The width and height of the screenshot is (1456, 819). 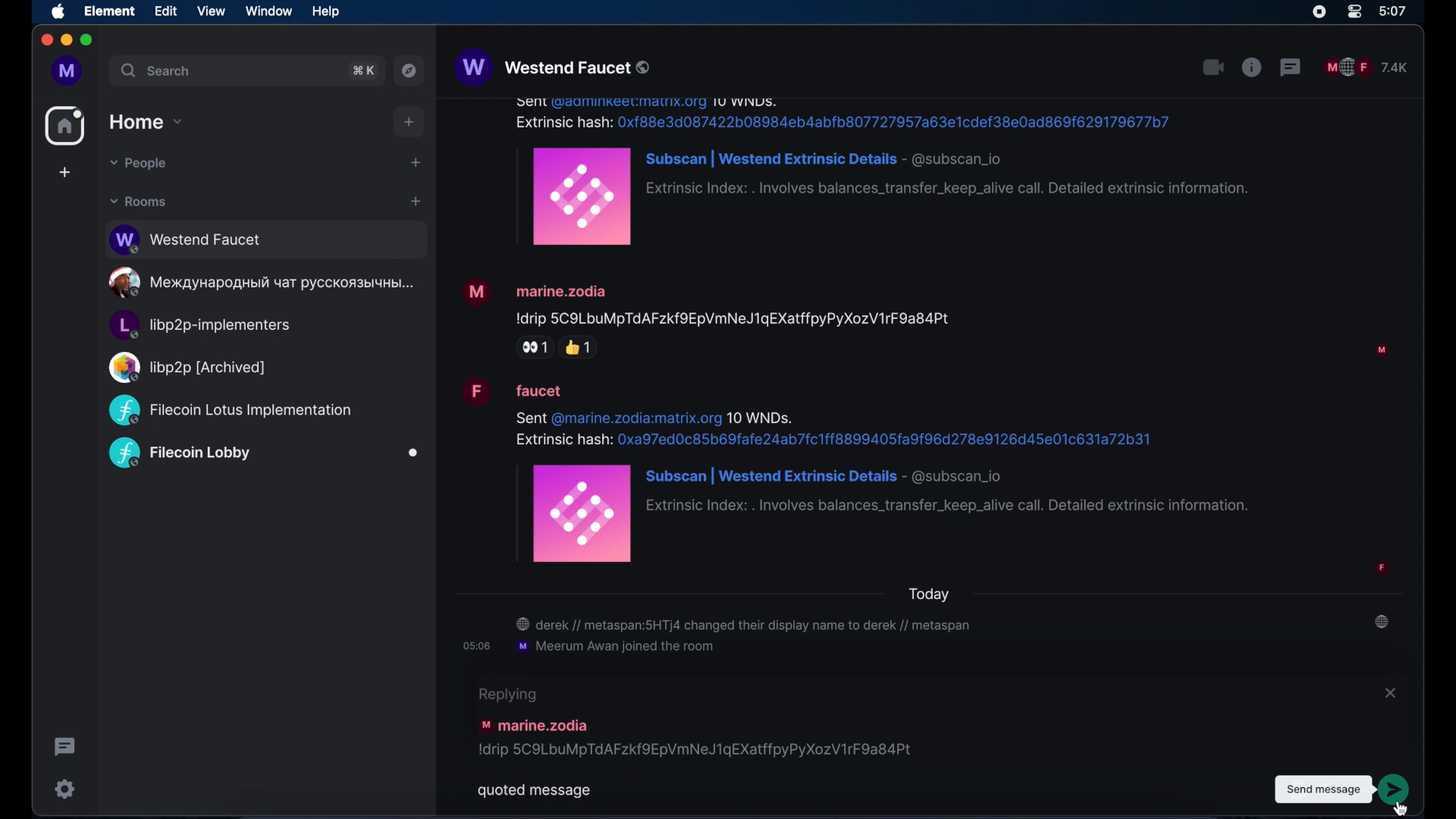 What do you see at coordinates (931, 593) in the screenshot?
I see `today` at bounding box center [931, 593].